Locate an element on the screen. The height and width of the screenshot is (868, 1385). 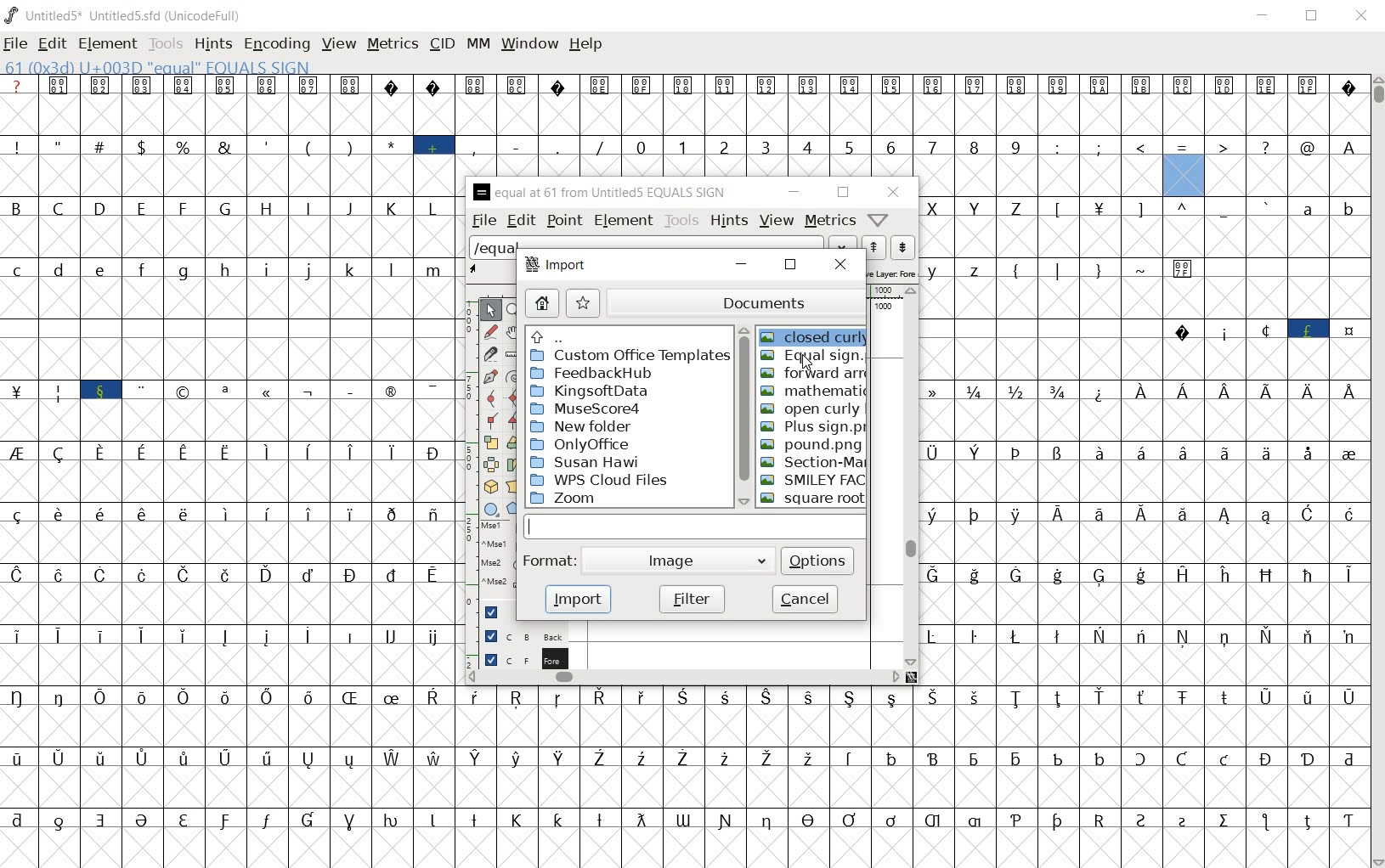
tools is located at coordinates (681, 220).